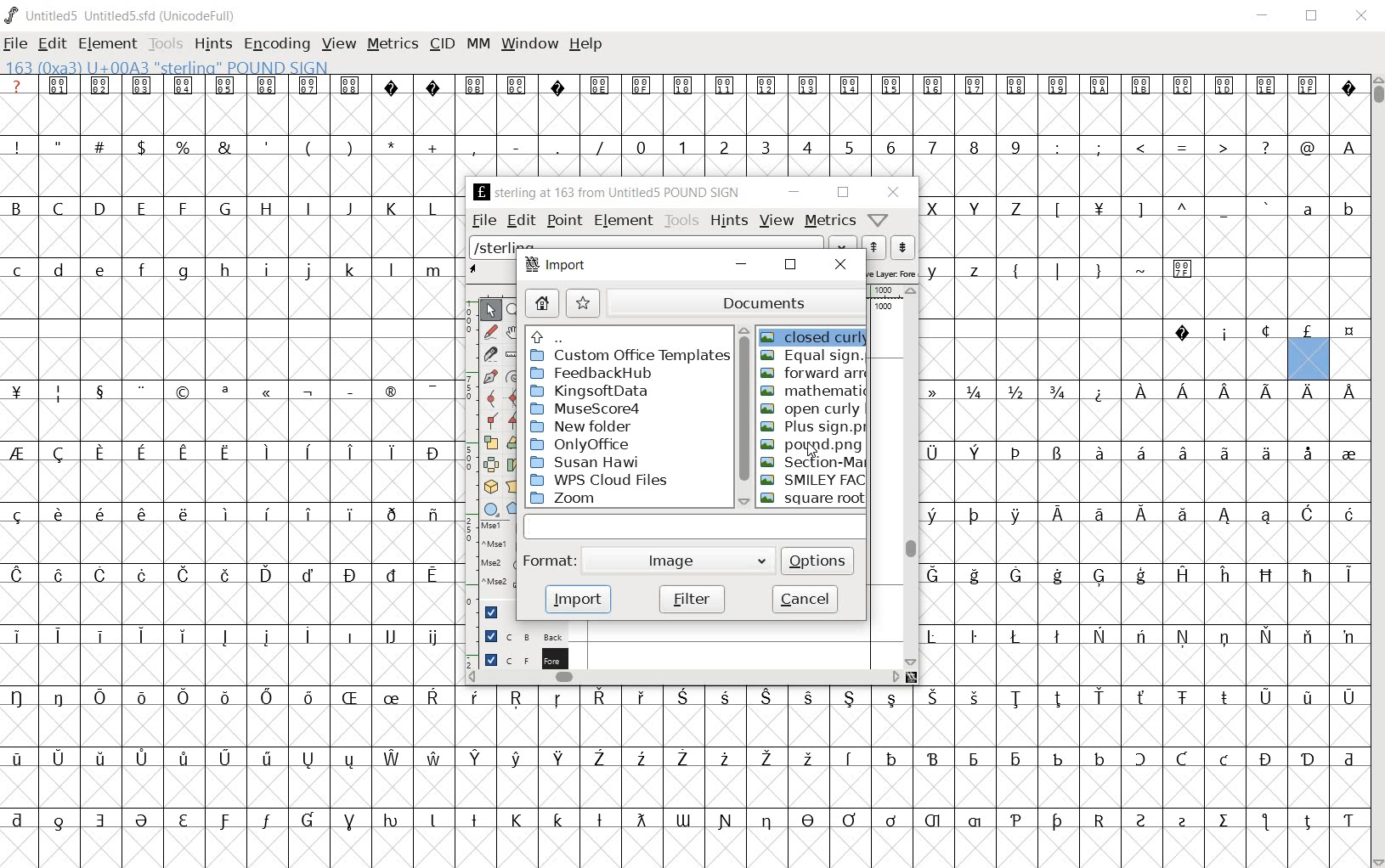 The image size is (1385, 868). What do you see at coordinates (268, 148) in the screenshot?
I see `'` at bounding box center [268, 148].